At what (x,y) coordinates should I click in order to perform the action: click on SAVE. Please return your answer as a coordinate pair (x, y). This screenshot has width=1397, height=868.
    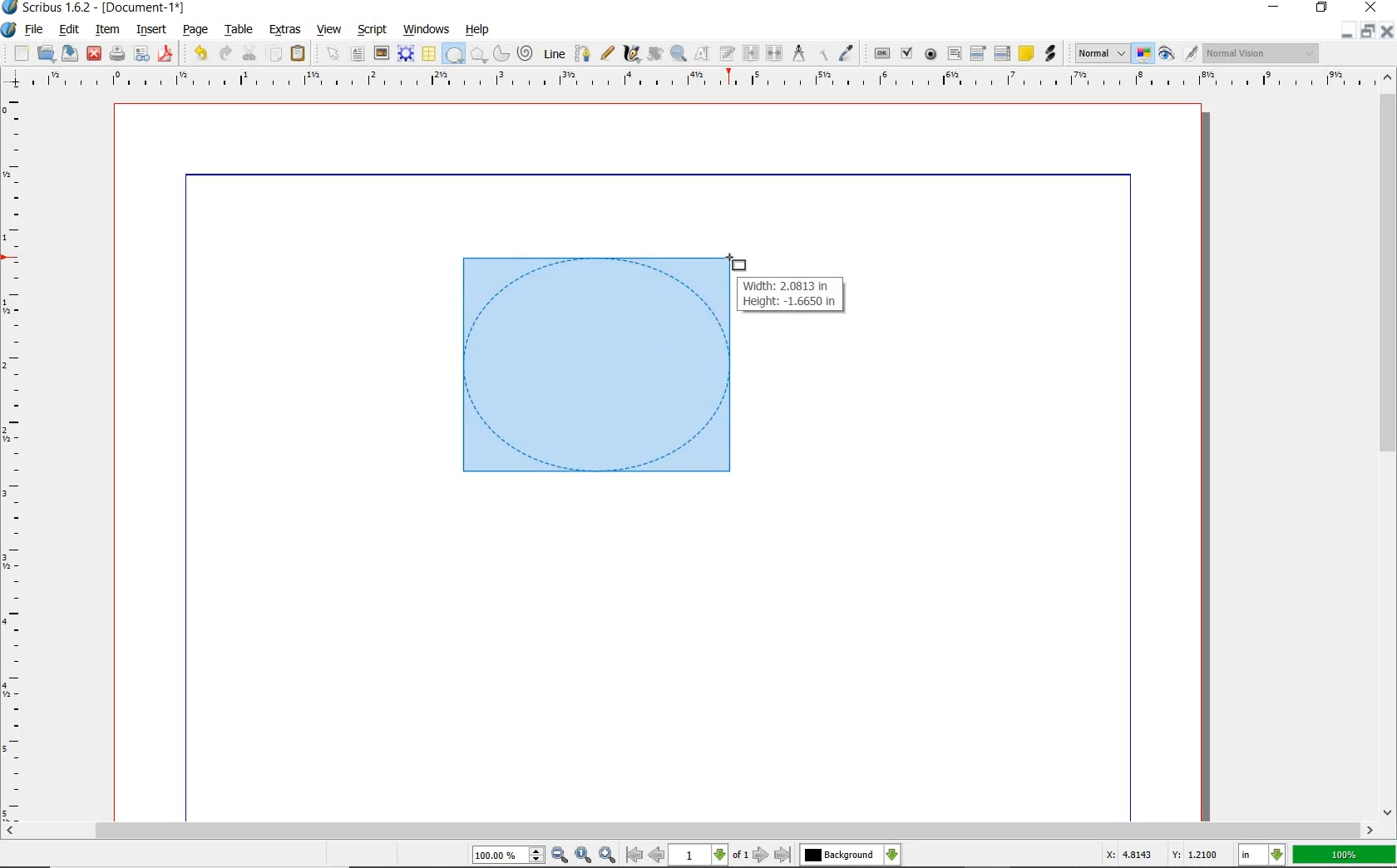
    Looking at the image, I should click on (70, 53).